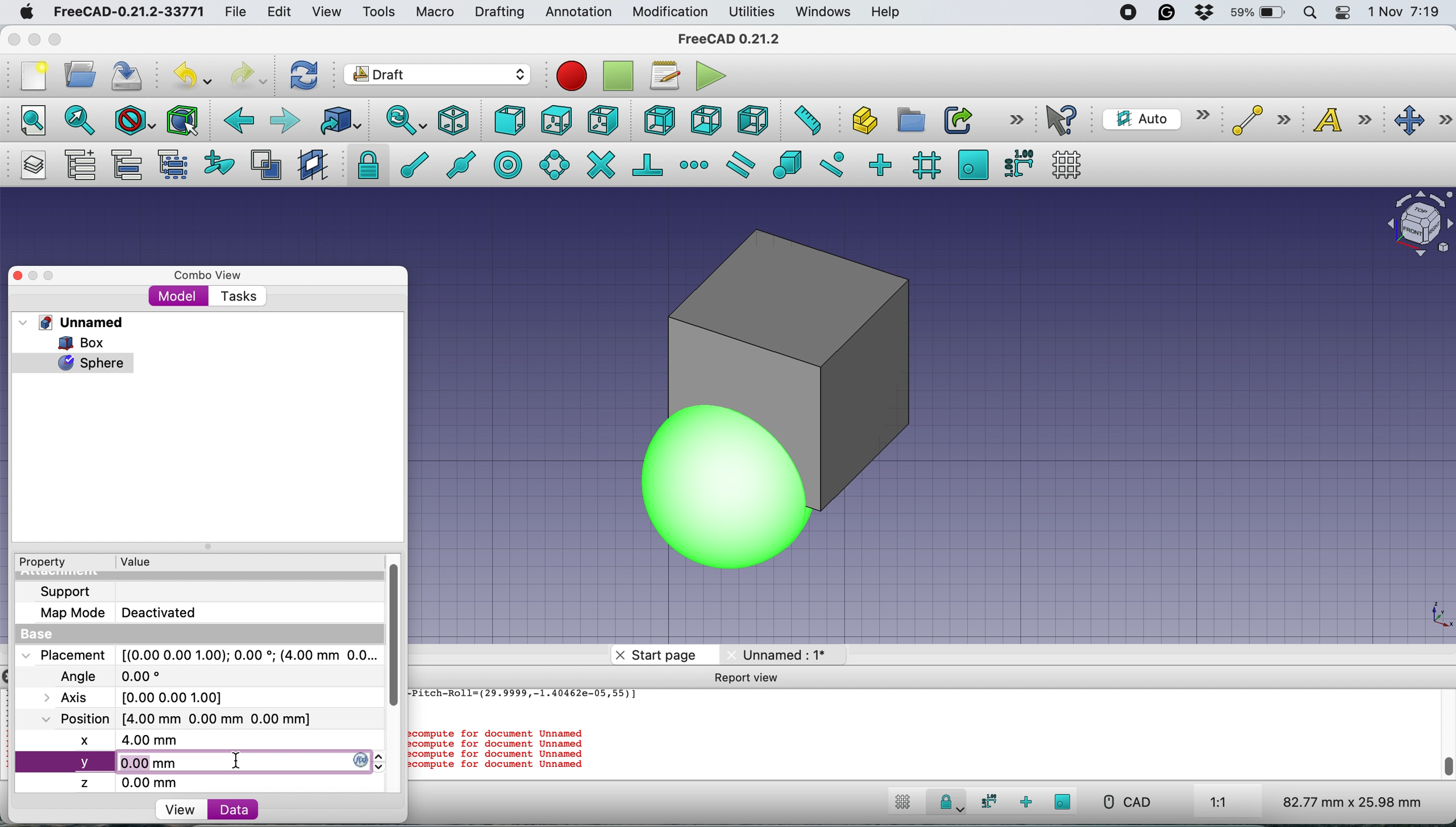 The image size is (1456, 827). What do you see at coordinates (887, 13) in the screenshot?
I see `help` at bounding box center [887, 13].